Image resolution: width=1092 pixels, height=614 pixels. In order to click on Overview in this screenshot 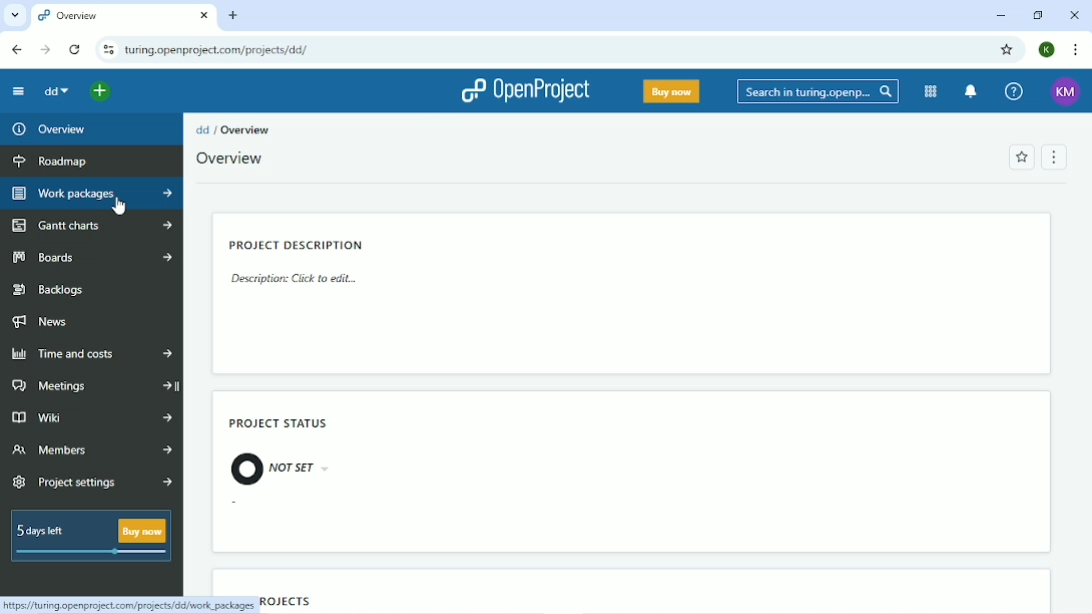, I will do `click(52, 130)`.